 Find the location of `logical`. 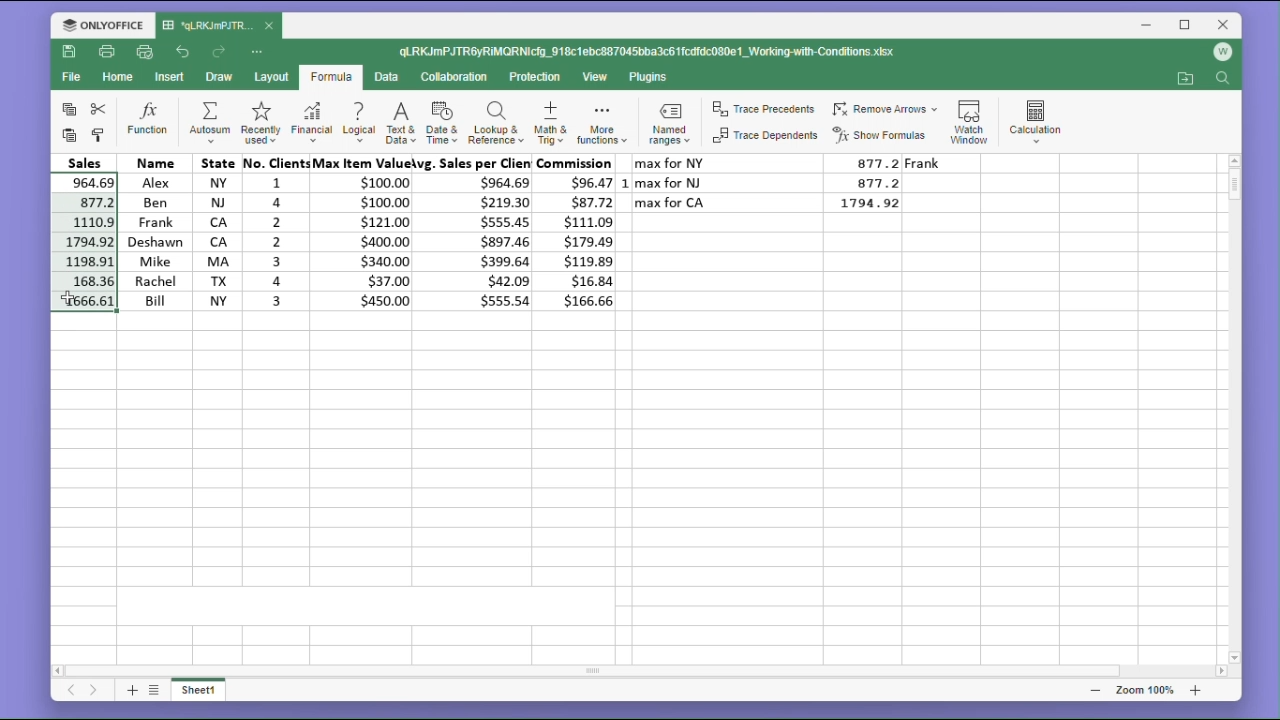

logical is located at coordinates (360, 121).